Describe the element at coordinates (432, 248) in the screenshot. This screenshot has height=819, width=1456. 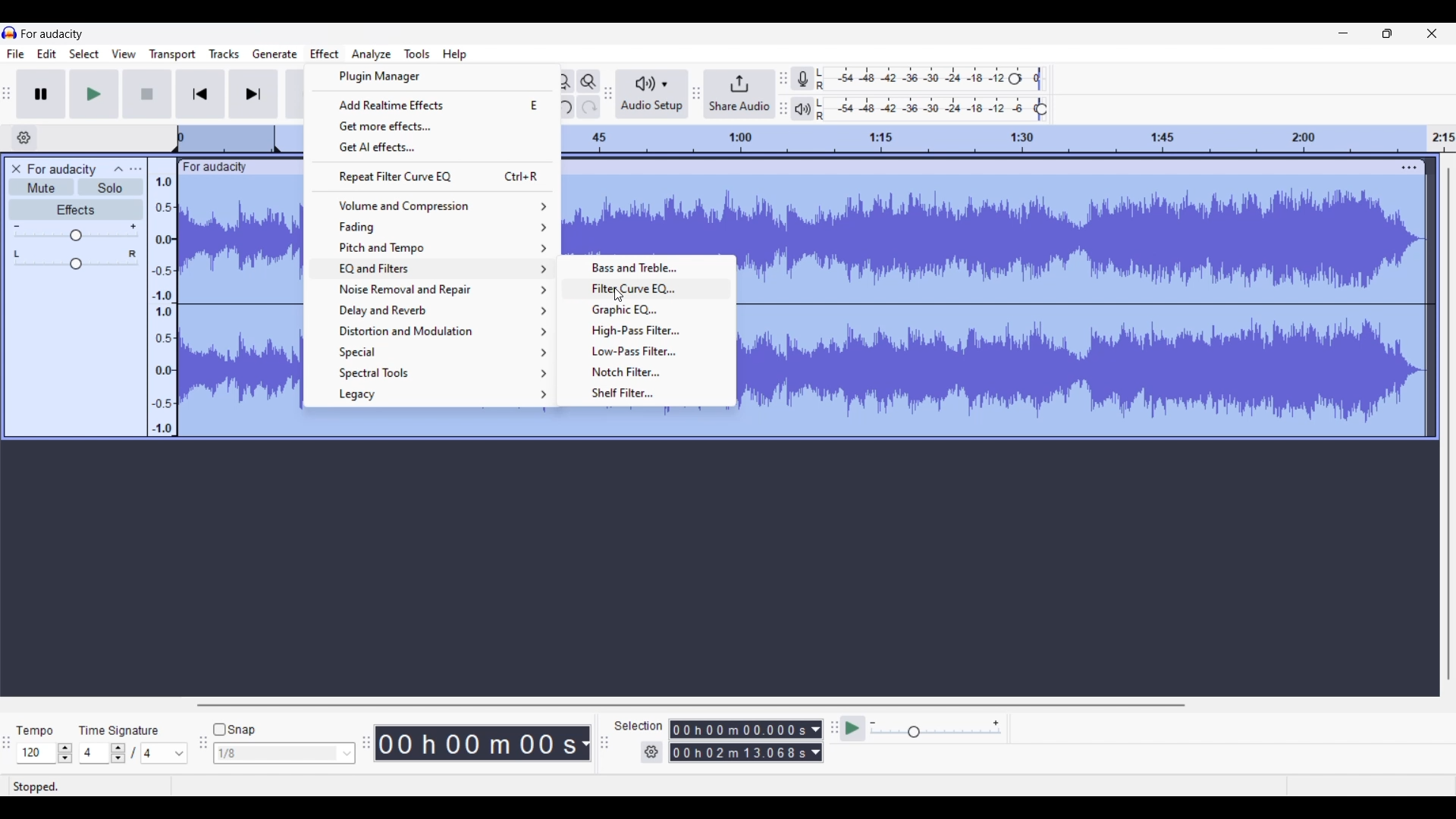
I see `Pitch and tempo options` at that location.